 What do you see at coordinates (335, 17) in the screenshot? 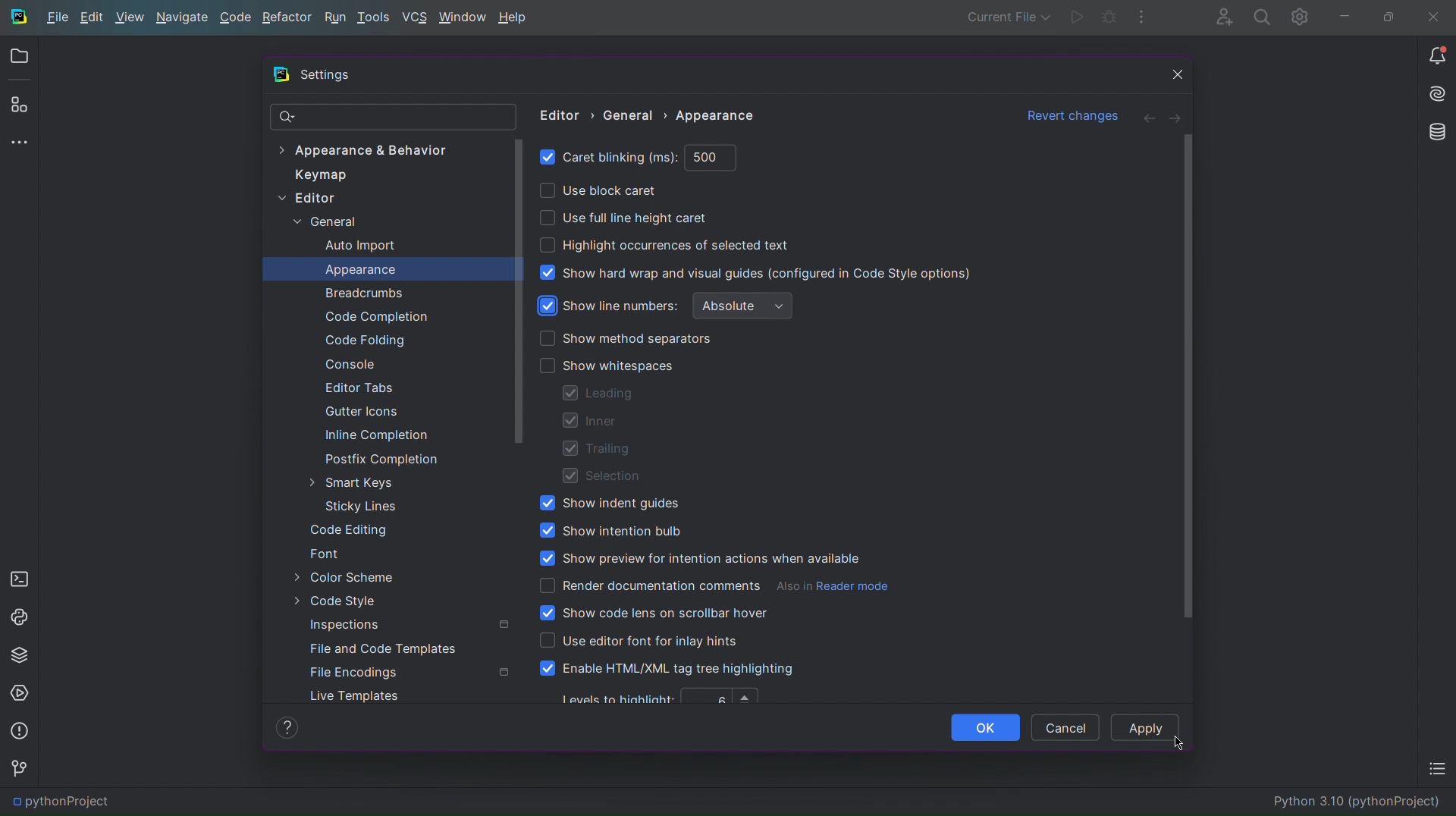
I see `Run` at bounding box center [335, 17].